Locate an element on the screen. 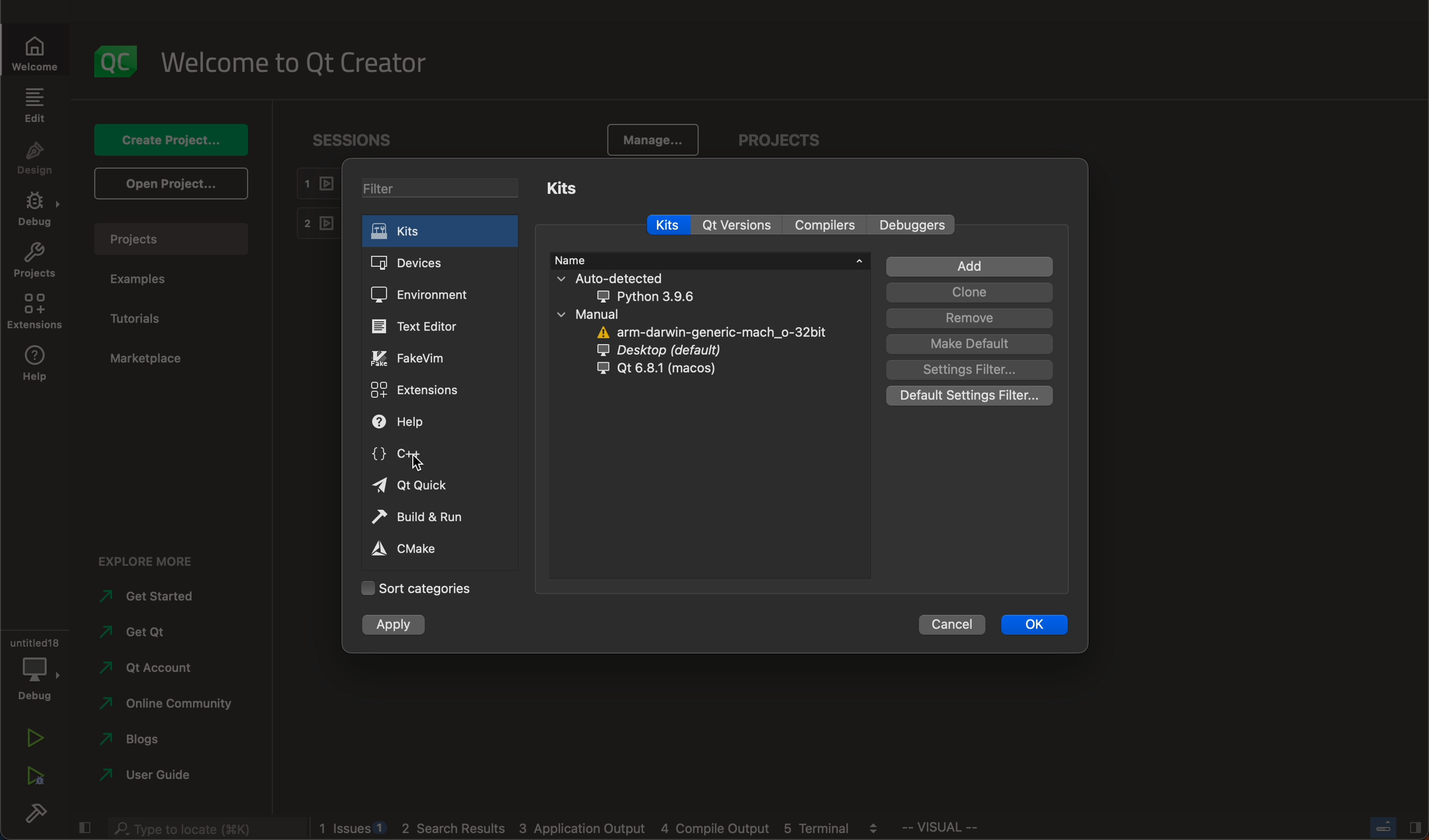 Image resolution: width=1429 pixels, height=840 pixels. ok is located at coordinates (1035, 623).